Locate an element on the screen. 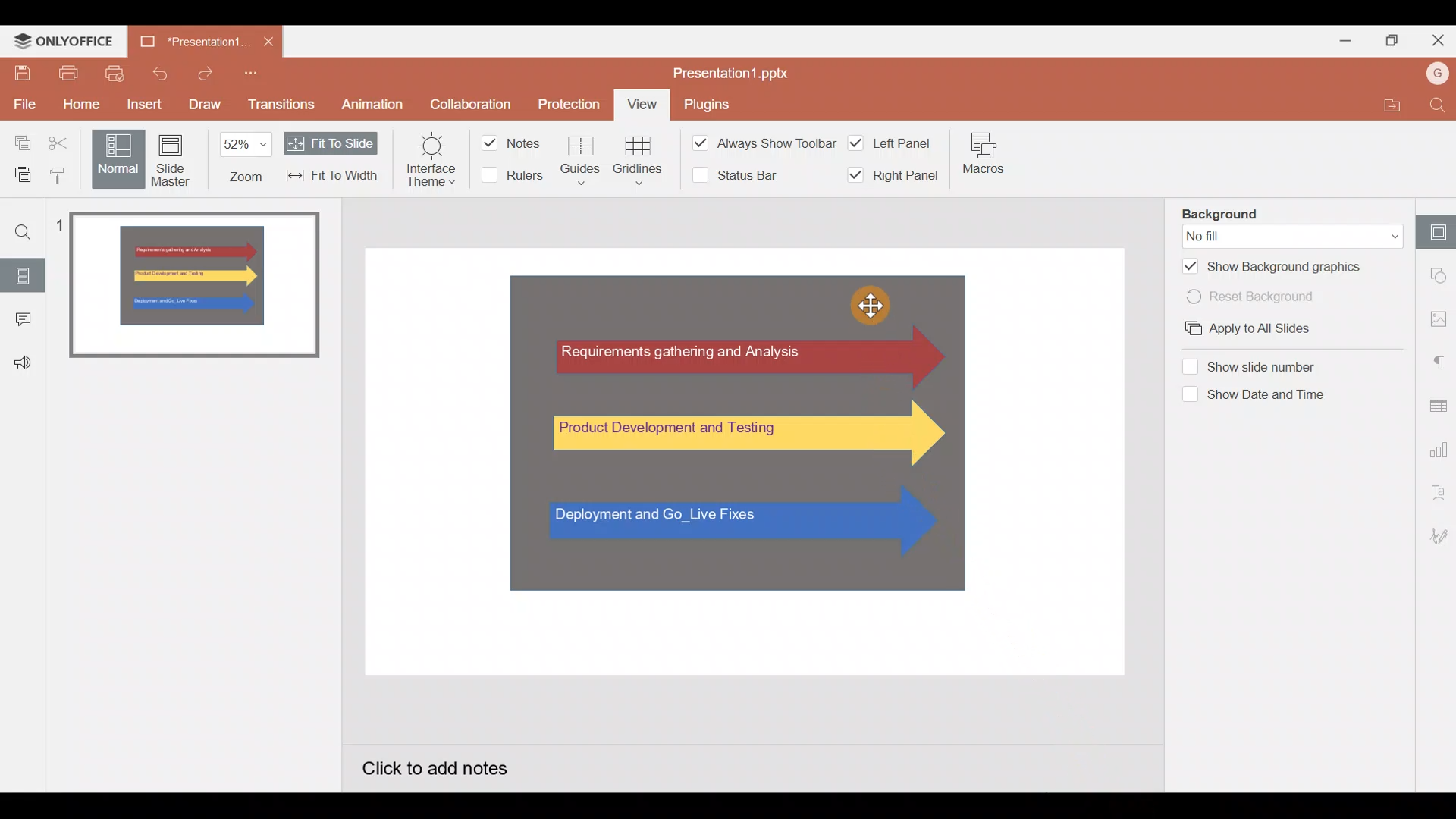 The height and width of the screenshot is (819, 1456). View is located at coordinates (643, 105).